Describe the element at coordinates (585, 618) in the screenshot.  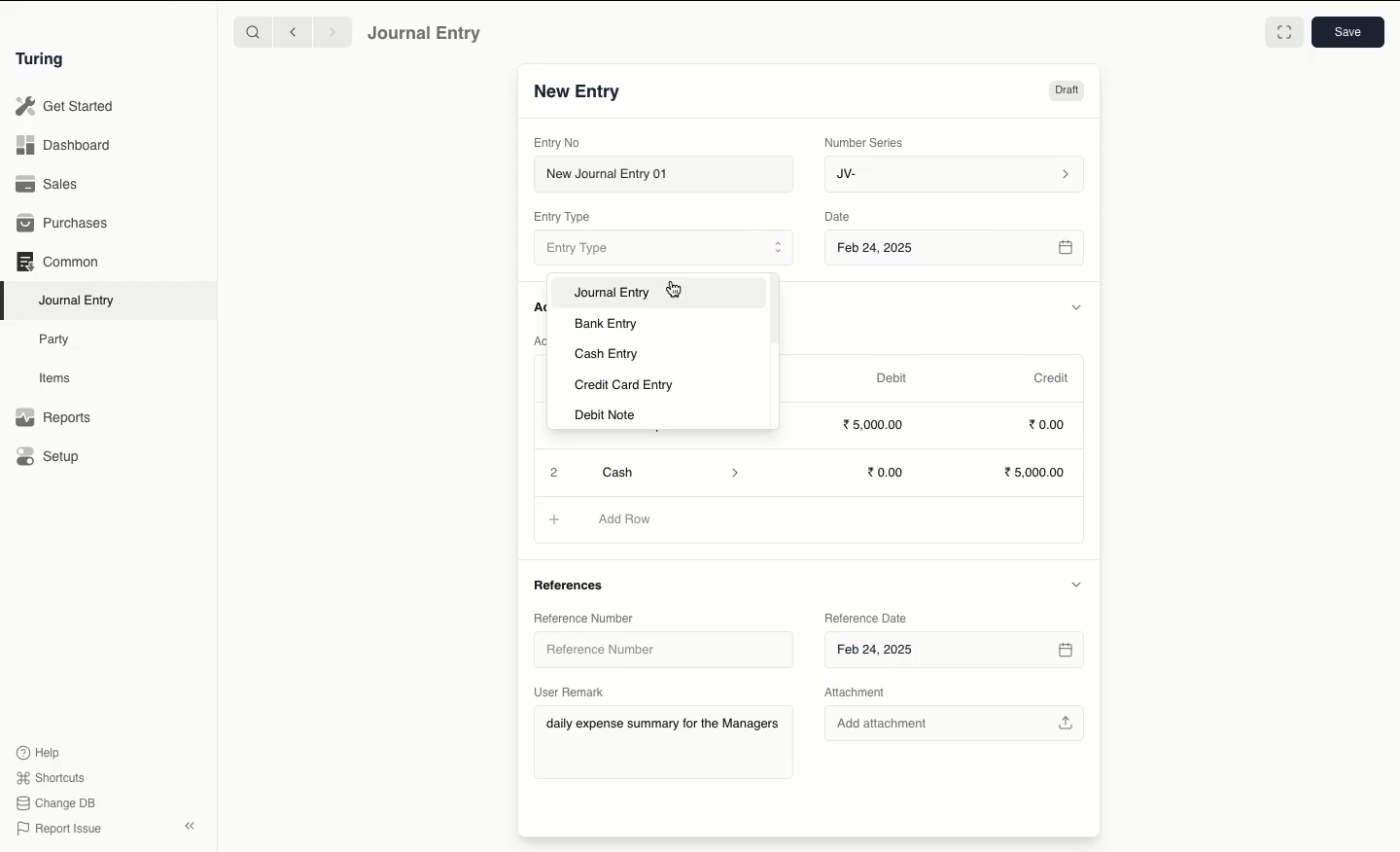
I see `Reference Number` at that location.